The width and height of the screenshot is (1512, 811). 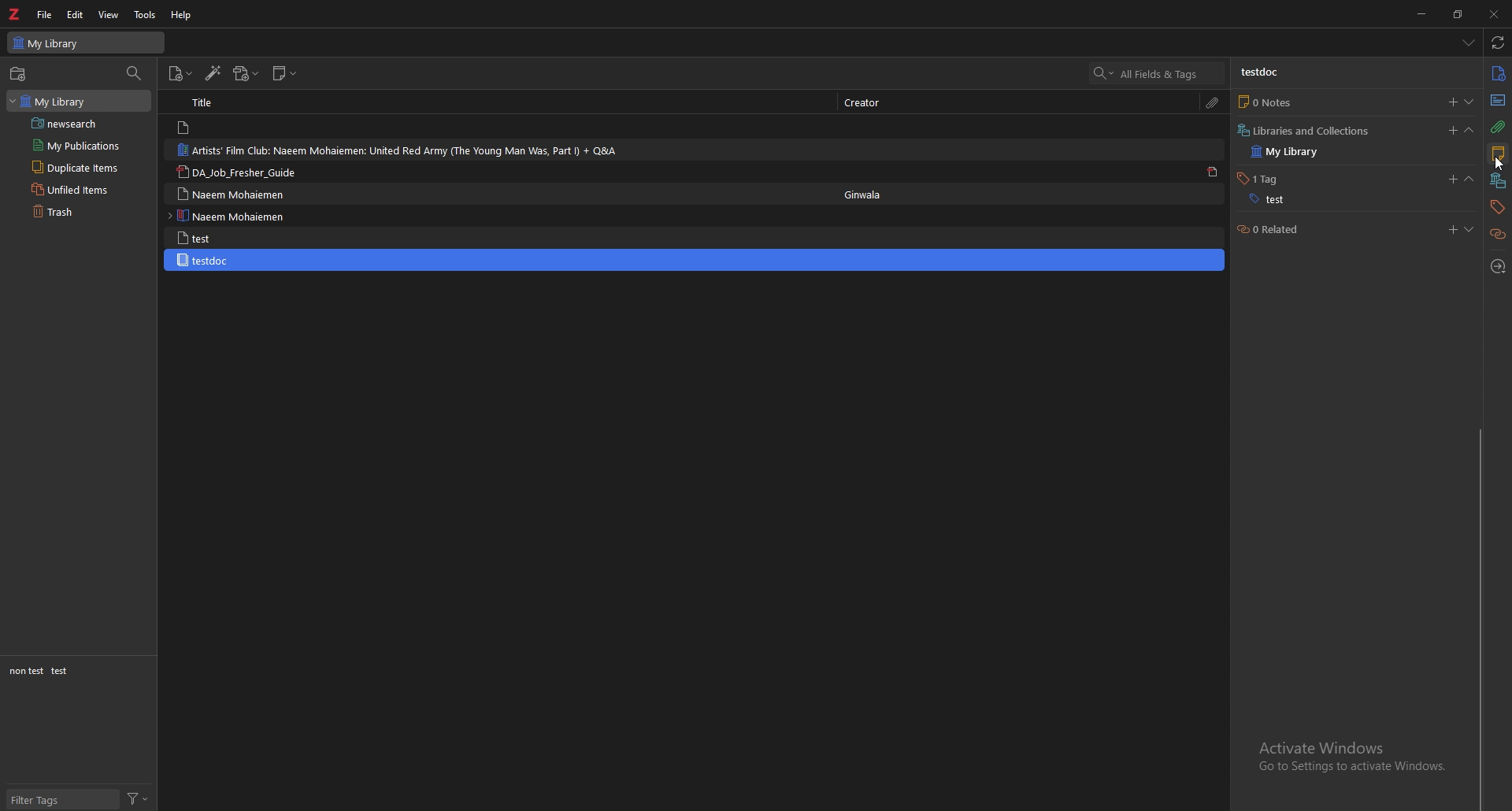 I want to click on Ginwala, so click(x=871, y=194).